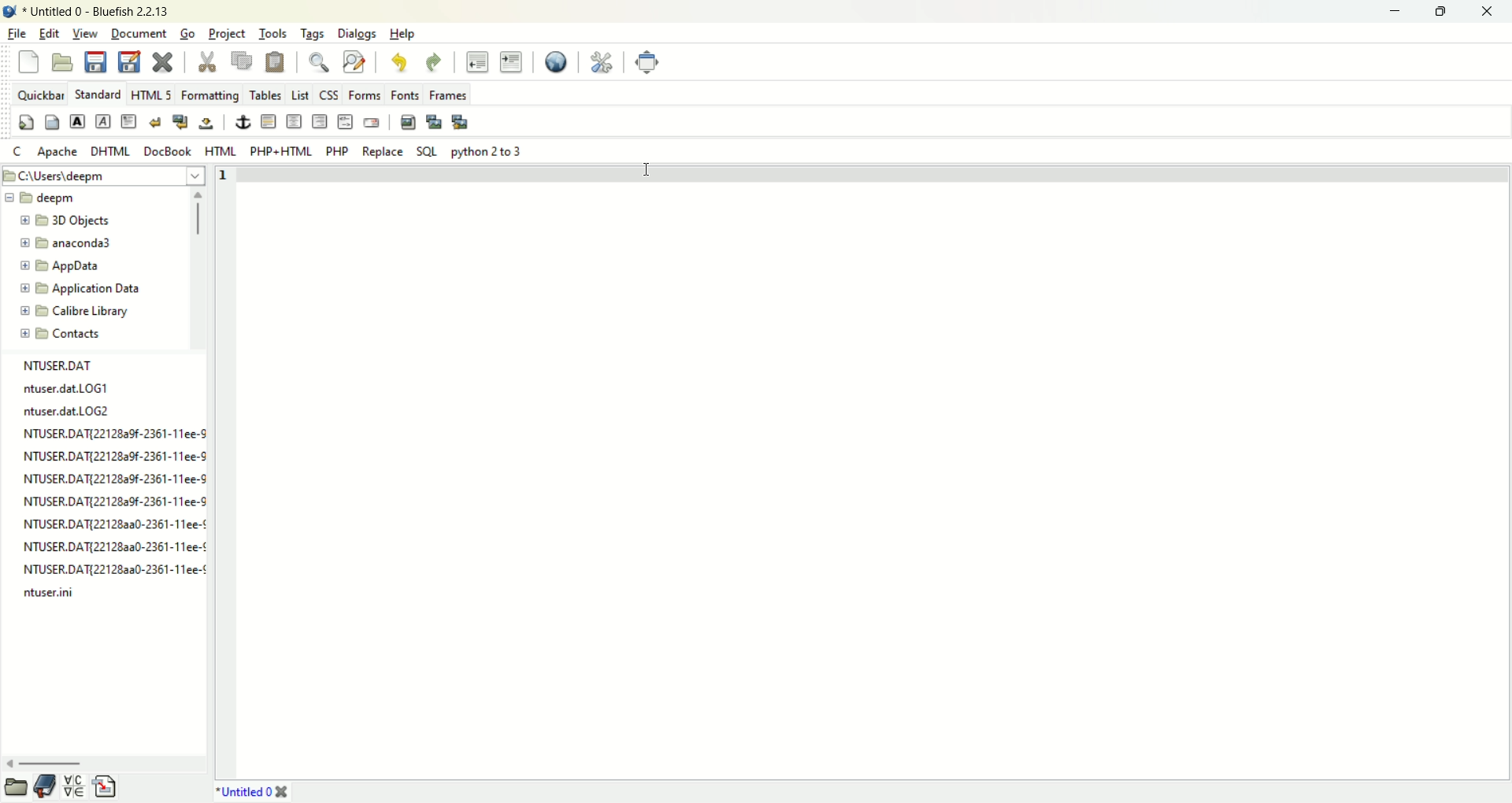 This screenshot has width=1512, height=803. What do you see at coordinates (162, 61) in the screenshot?
I see `close file` at bounding box center [162, 61].